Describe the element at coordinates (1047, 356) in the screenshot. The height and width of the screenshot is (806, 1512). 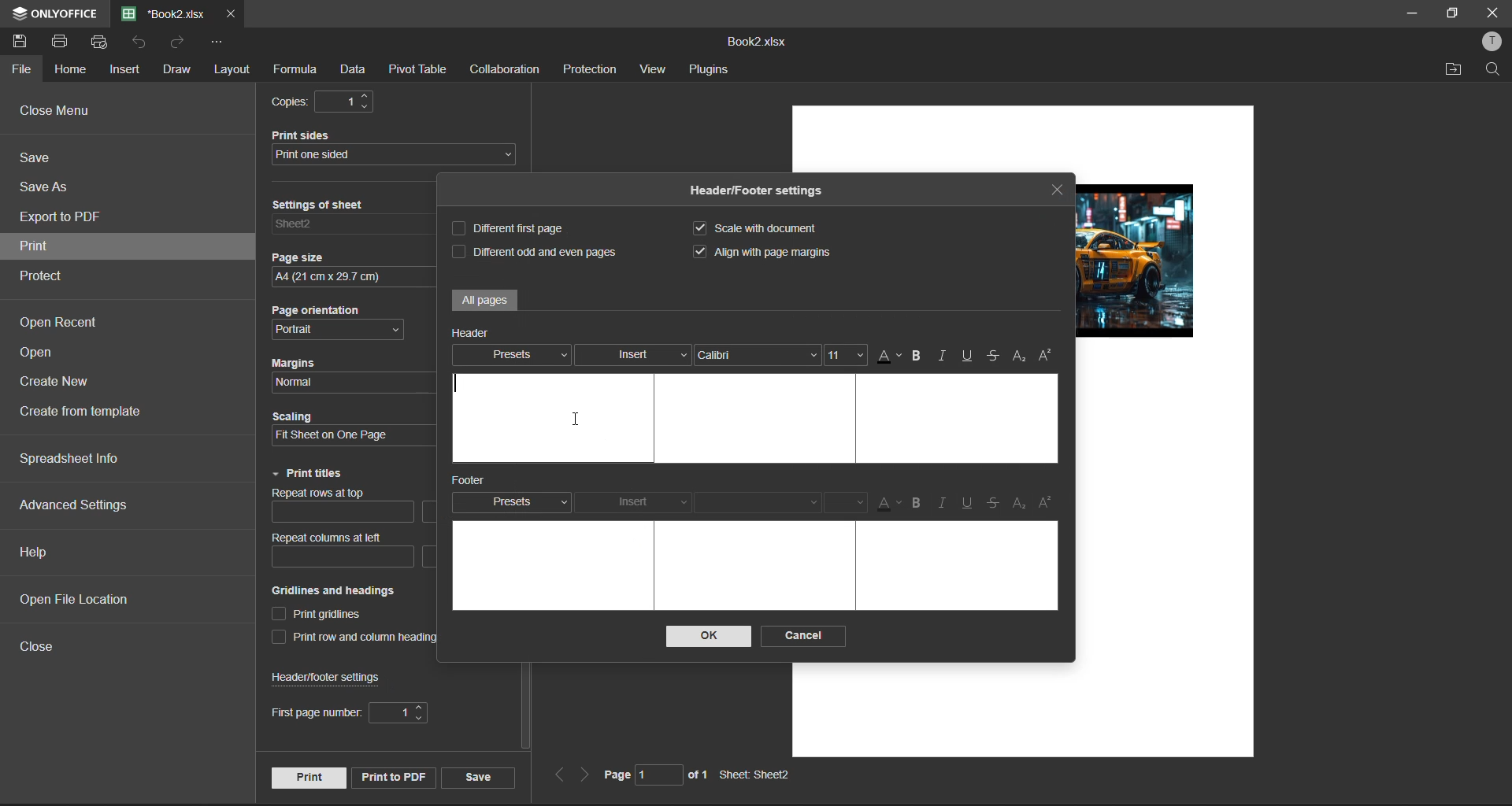
I see `superscript` at that location.